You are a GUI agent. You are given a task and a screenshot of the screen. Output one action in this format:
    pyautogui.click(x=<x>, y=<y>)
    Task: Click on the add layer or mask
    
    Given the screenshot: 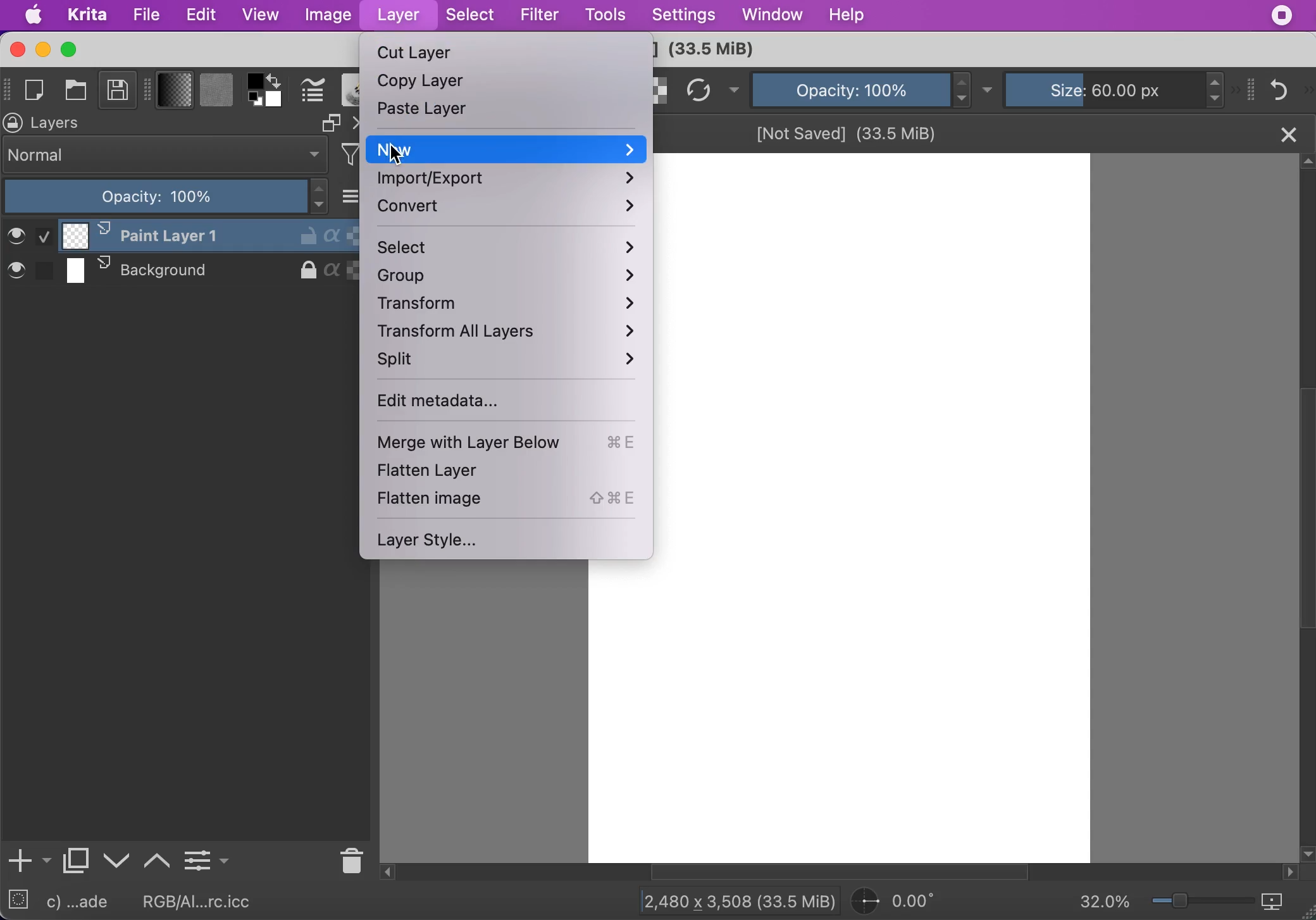 What is the action you would take?
    pyautogui.click(x=28, y=862)
    